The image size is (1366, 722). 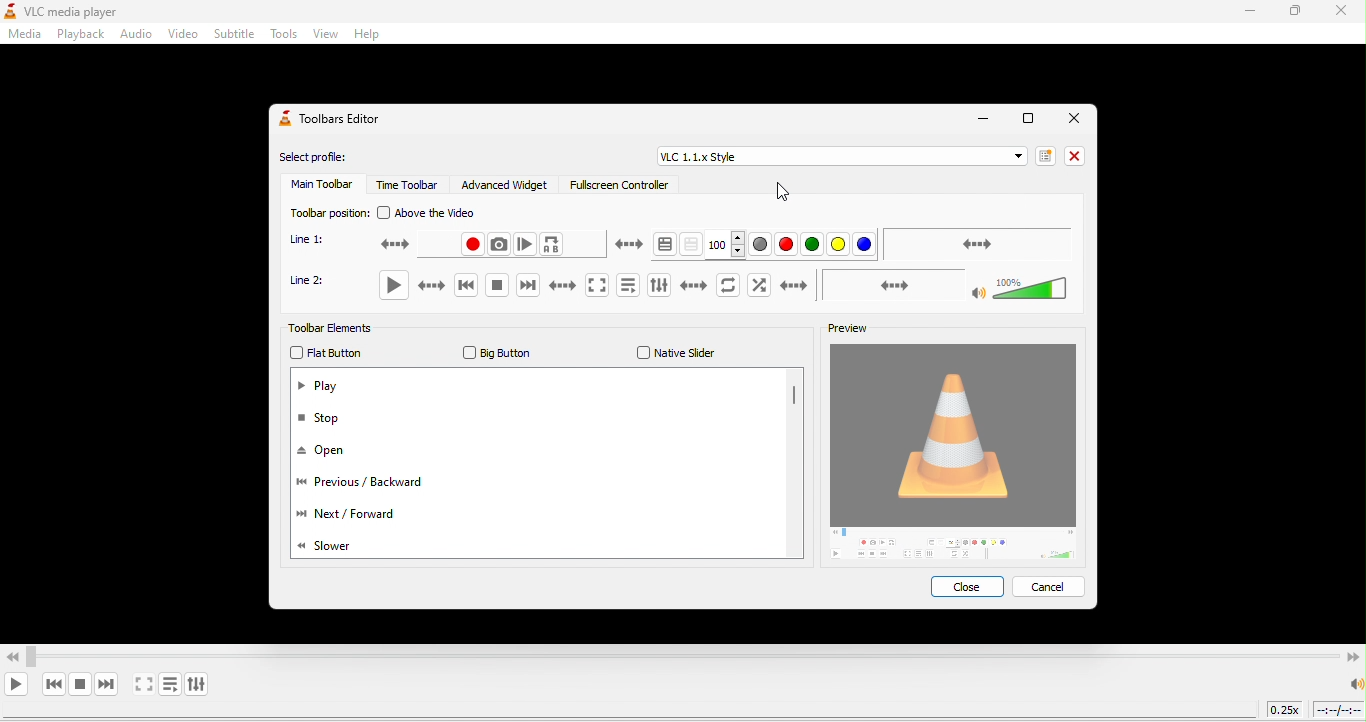 What do you see at coordinates (640, 245) in the screenshot?
I see `teletext activation` at bounding box center [640, 245].